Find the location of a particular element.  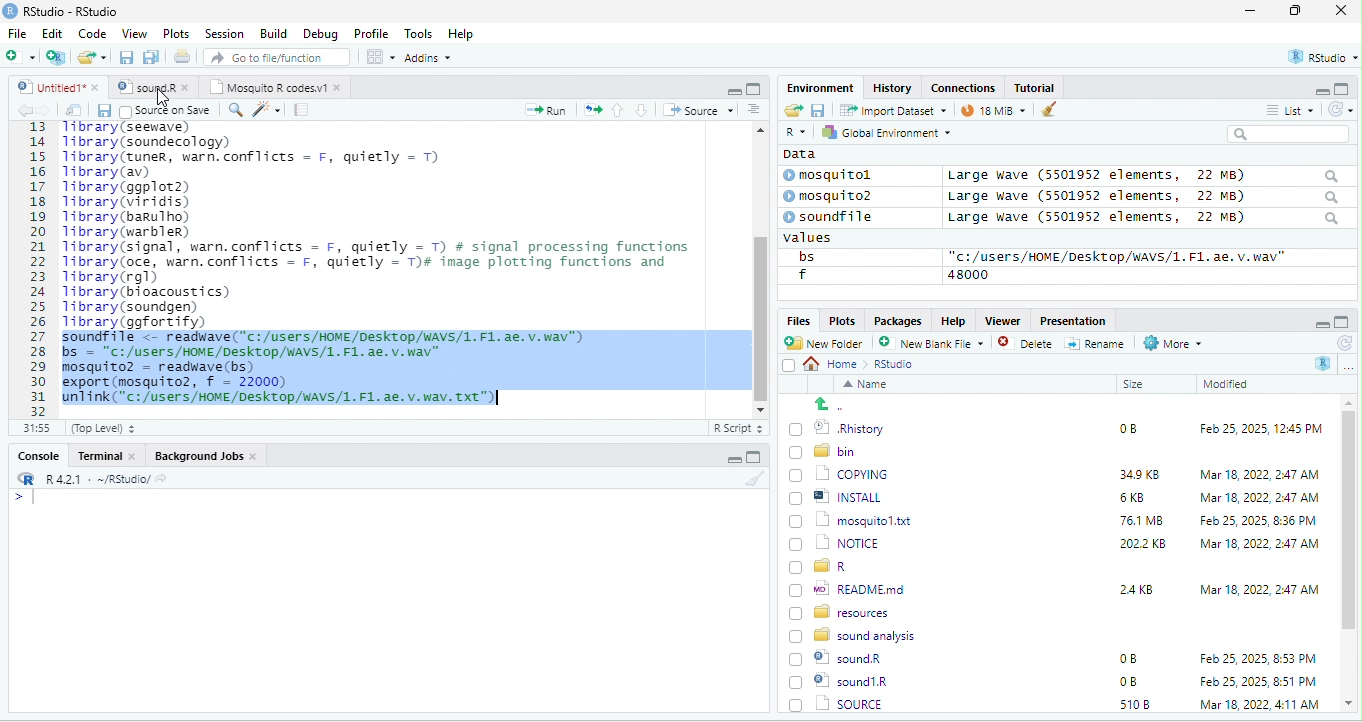

(Top Level) + is located at coordinates (103, 428).